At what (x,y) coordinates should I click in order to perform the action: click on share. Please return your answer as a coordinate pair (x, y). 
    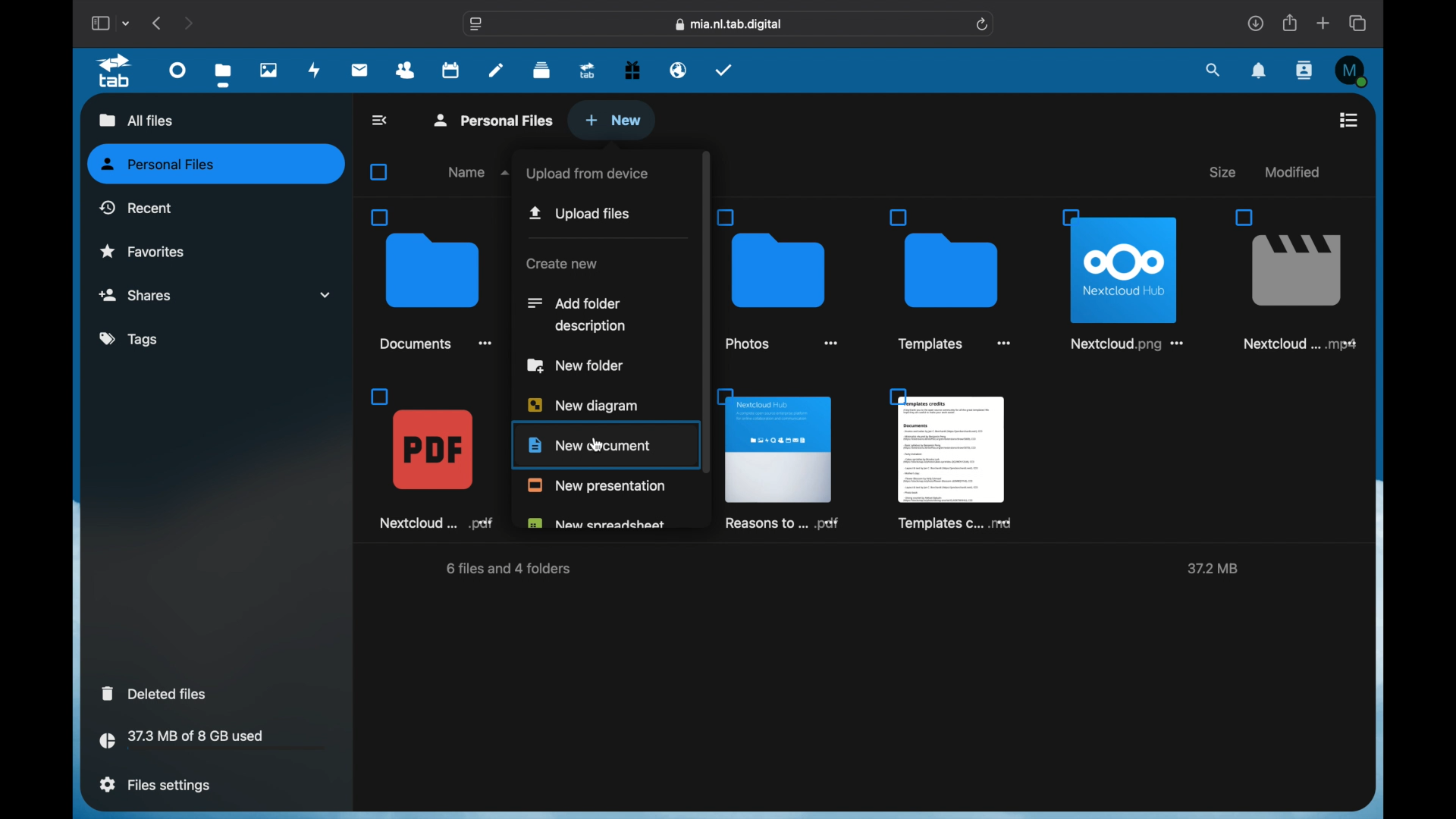
    Looking at the image, I should click on (1291, 23).